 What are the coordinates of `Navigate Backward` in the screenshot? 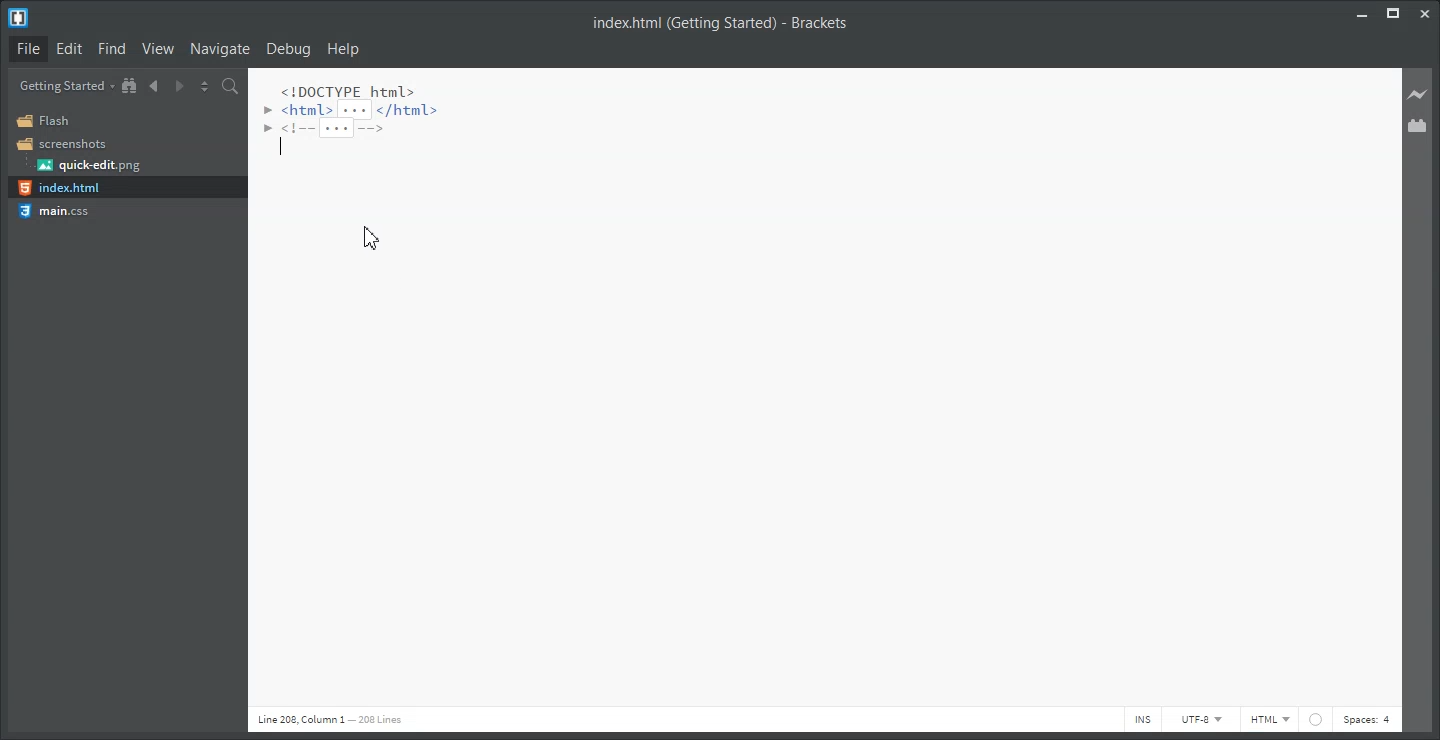 It's located at (155, 86).